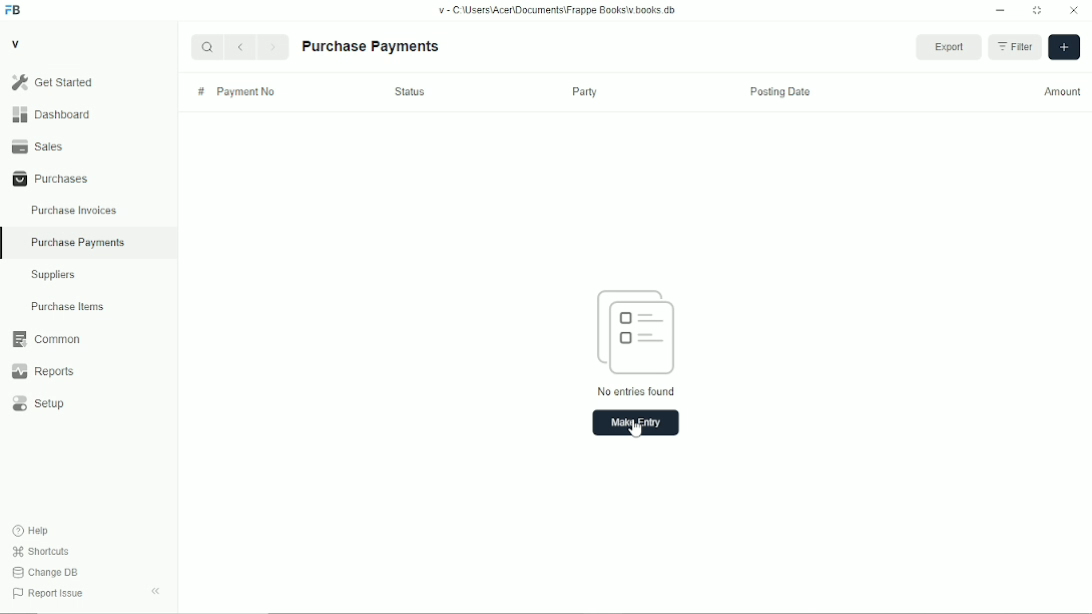 This screenshot has width=1092, height=614. I want to click on Gel Started, so click(88, 82).